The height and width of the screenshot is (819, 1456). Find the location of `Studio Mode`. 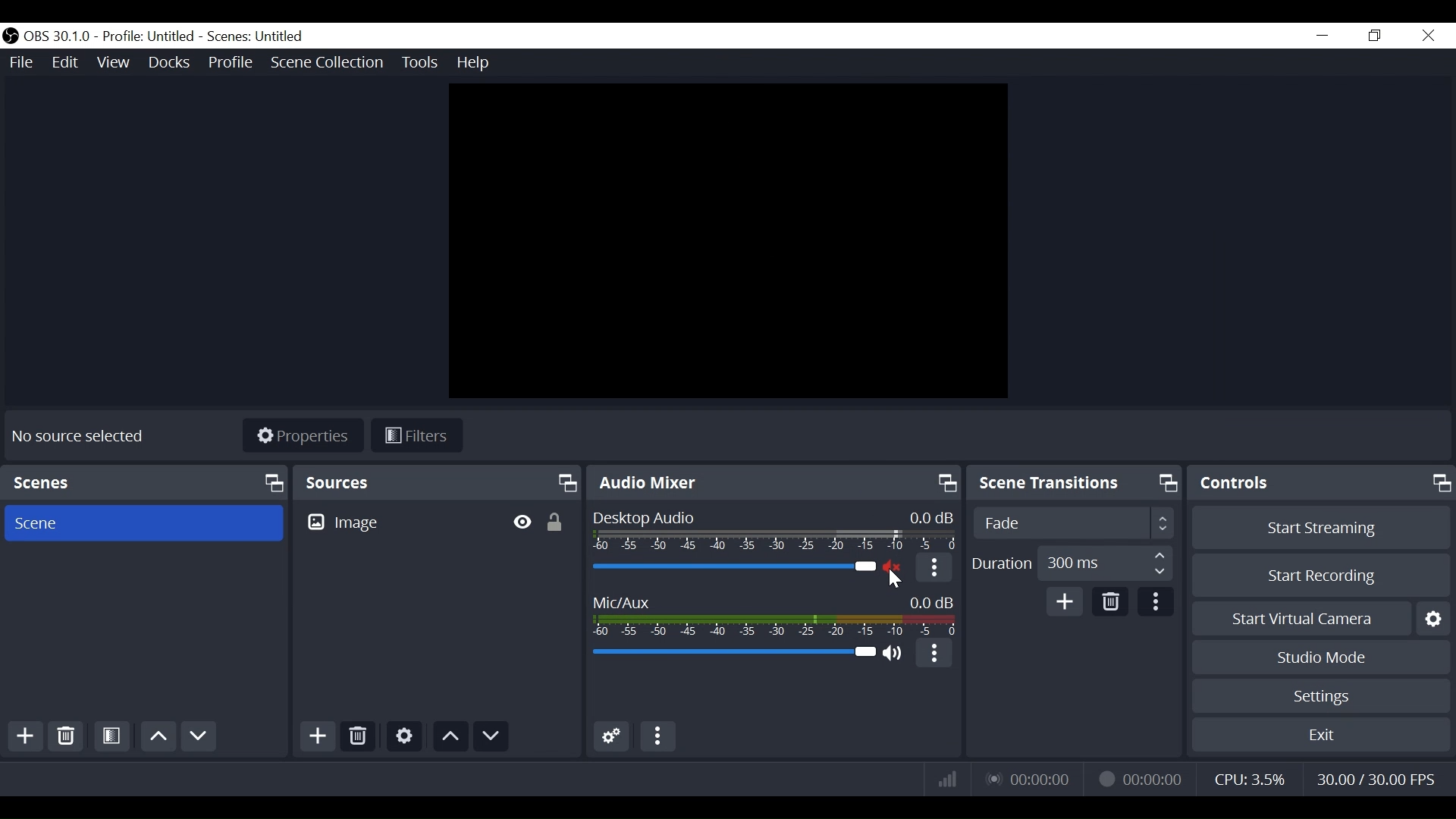

Studio Mode is located at coordinates (1319, 657).